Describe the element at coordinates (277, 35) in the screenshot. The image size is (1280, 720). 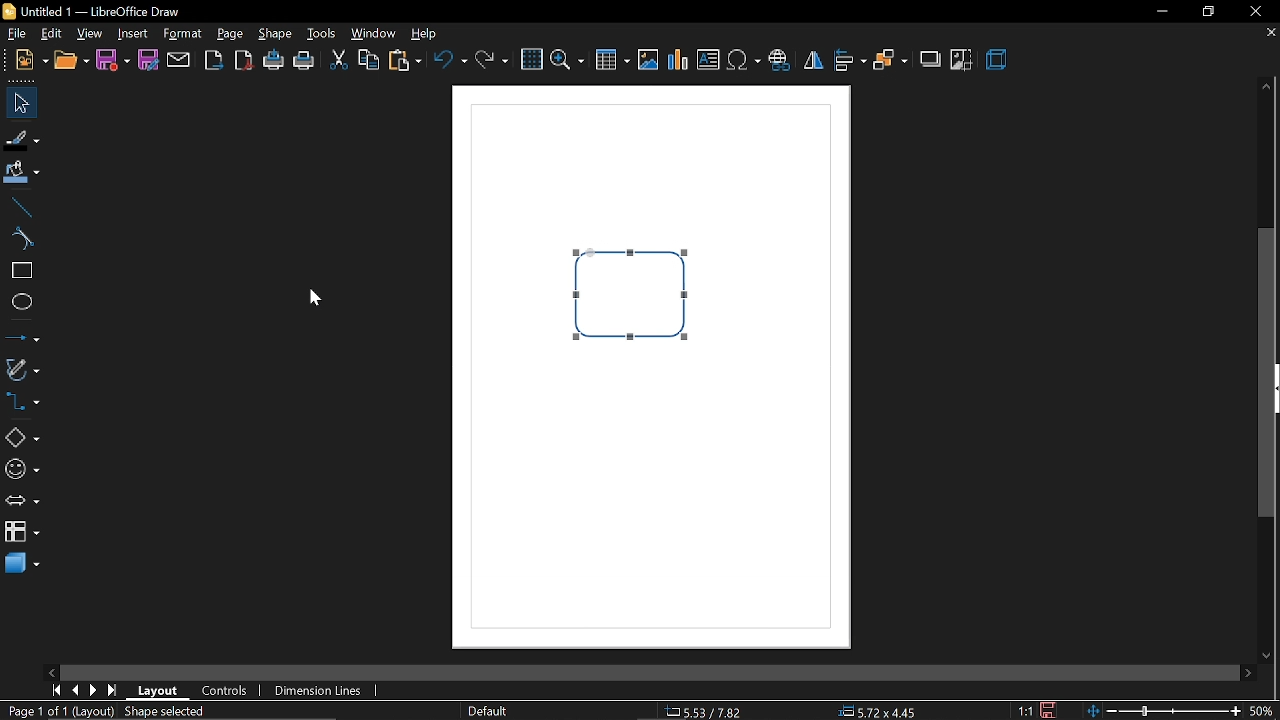
I see `shape` at that location.